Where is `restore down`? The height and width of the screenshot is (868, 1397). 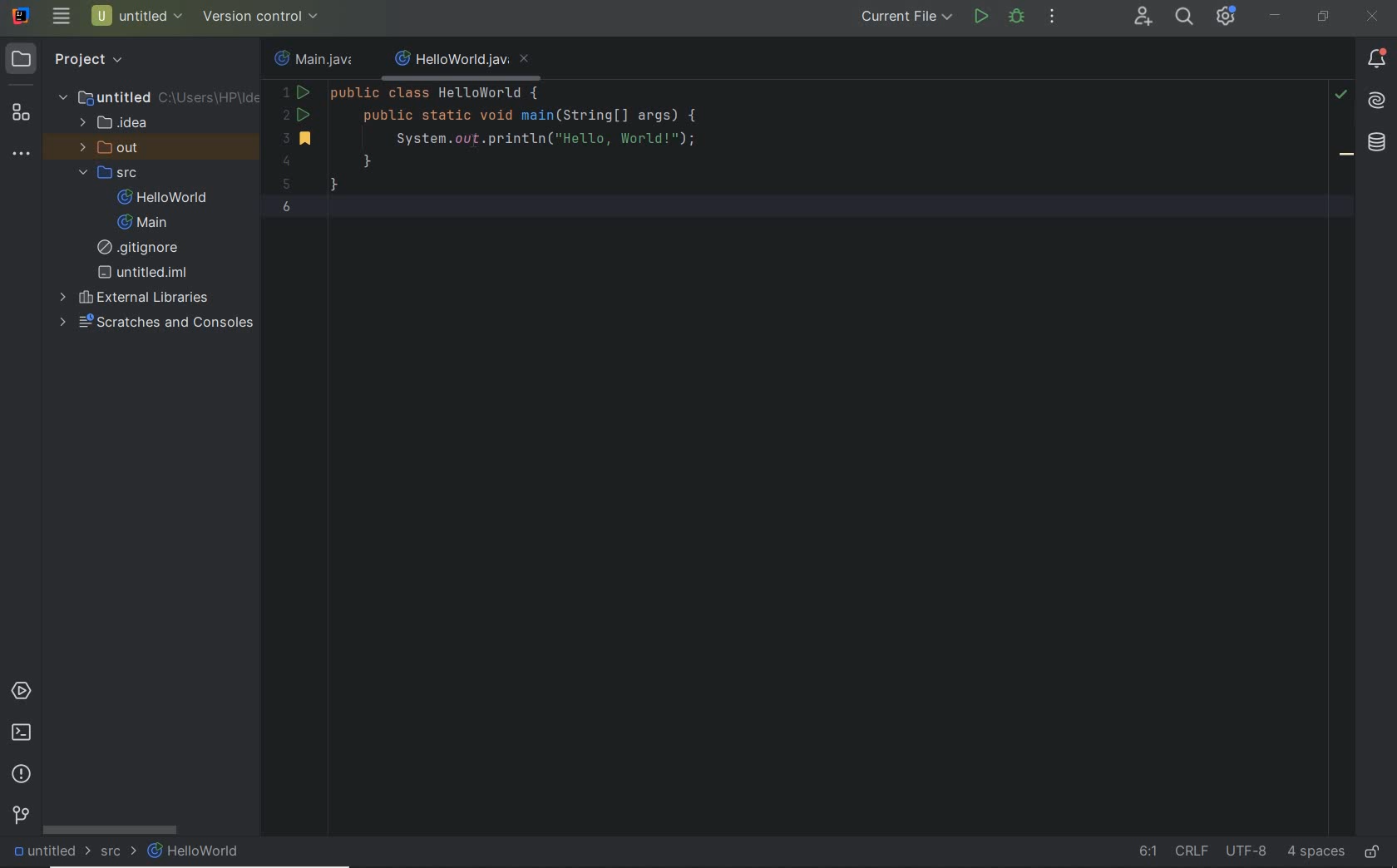
restore down is located at coordinates (1323, 18).